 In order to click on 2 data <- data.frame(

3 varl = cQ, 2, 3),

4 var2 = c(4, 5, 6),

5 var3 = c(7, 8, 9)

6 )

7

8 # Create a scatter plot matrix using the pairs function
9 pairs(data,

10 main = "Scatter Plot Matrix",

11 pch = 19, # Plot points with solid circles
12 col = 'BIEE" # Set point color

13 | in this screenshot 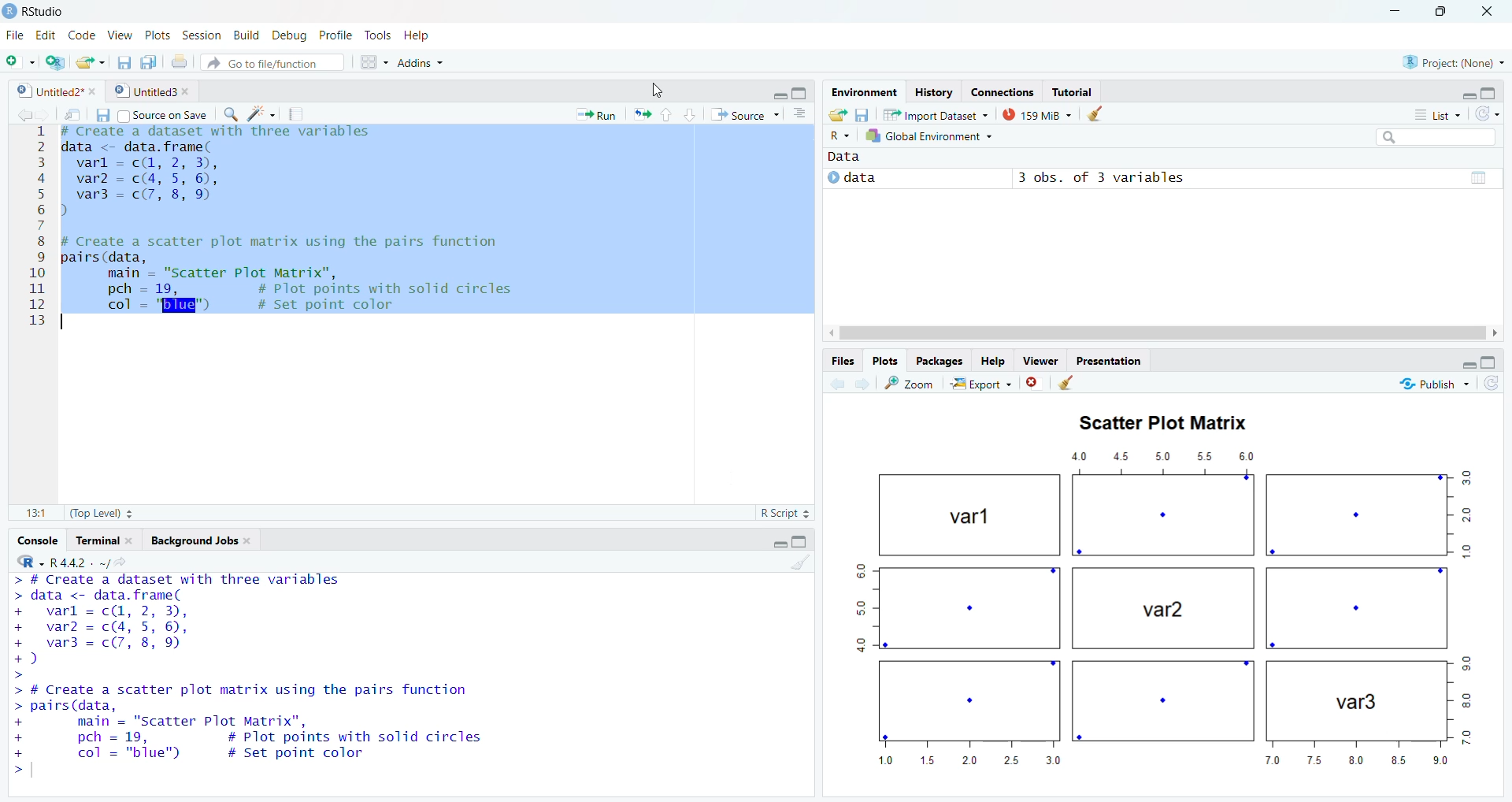, I will do `click(402, 305)`.